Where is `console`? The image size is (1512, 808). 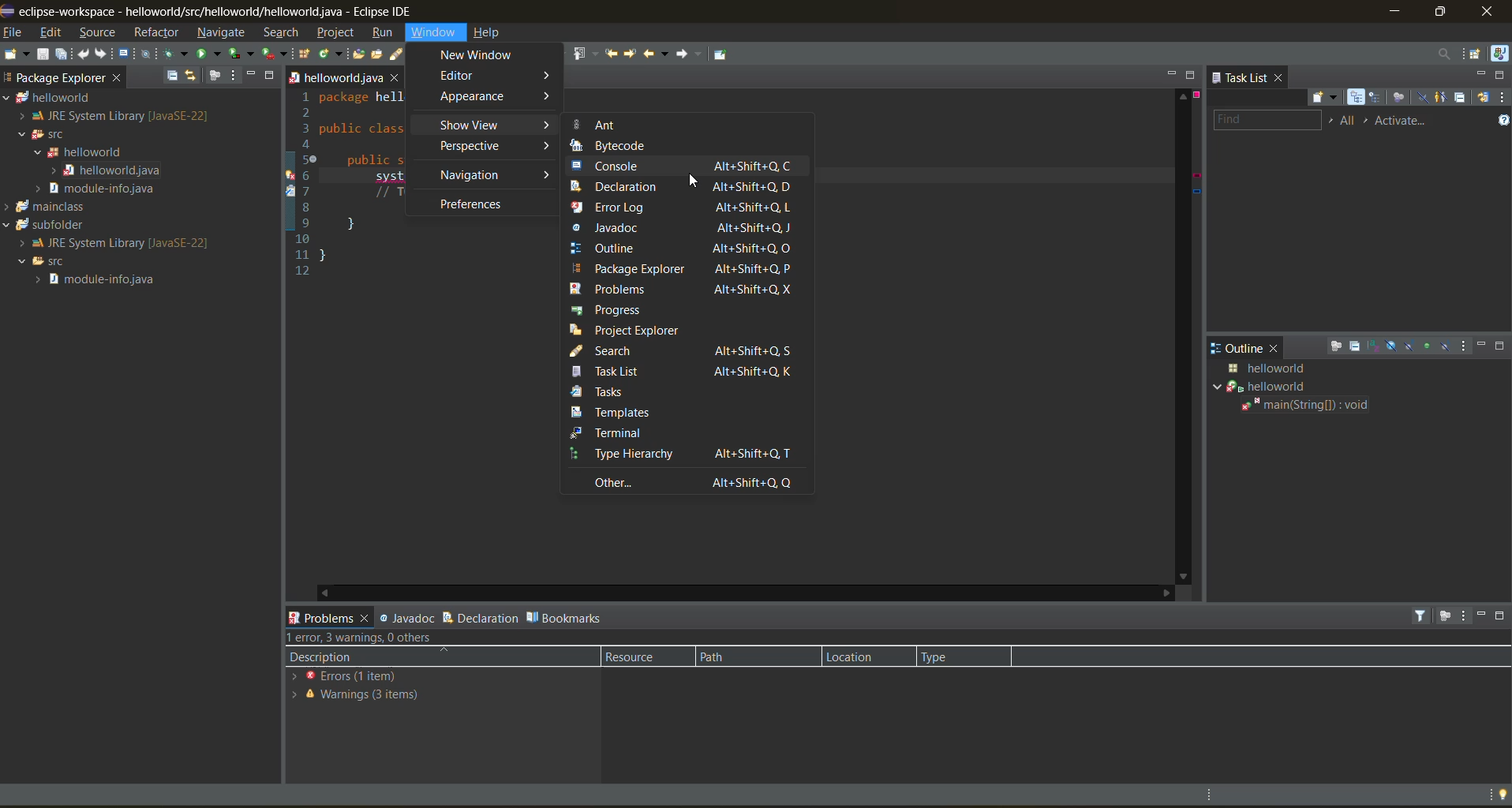 console is located at coordinates (688, 165).